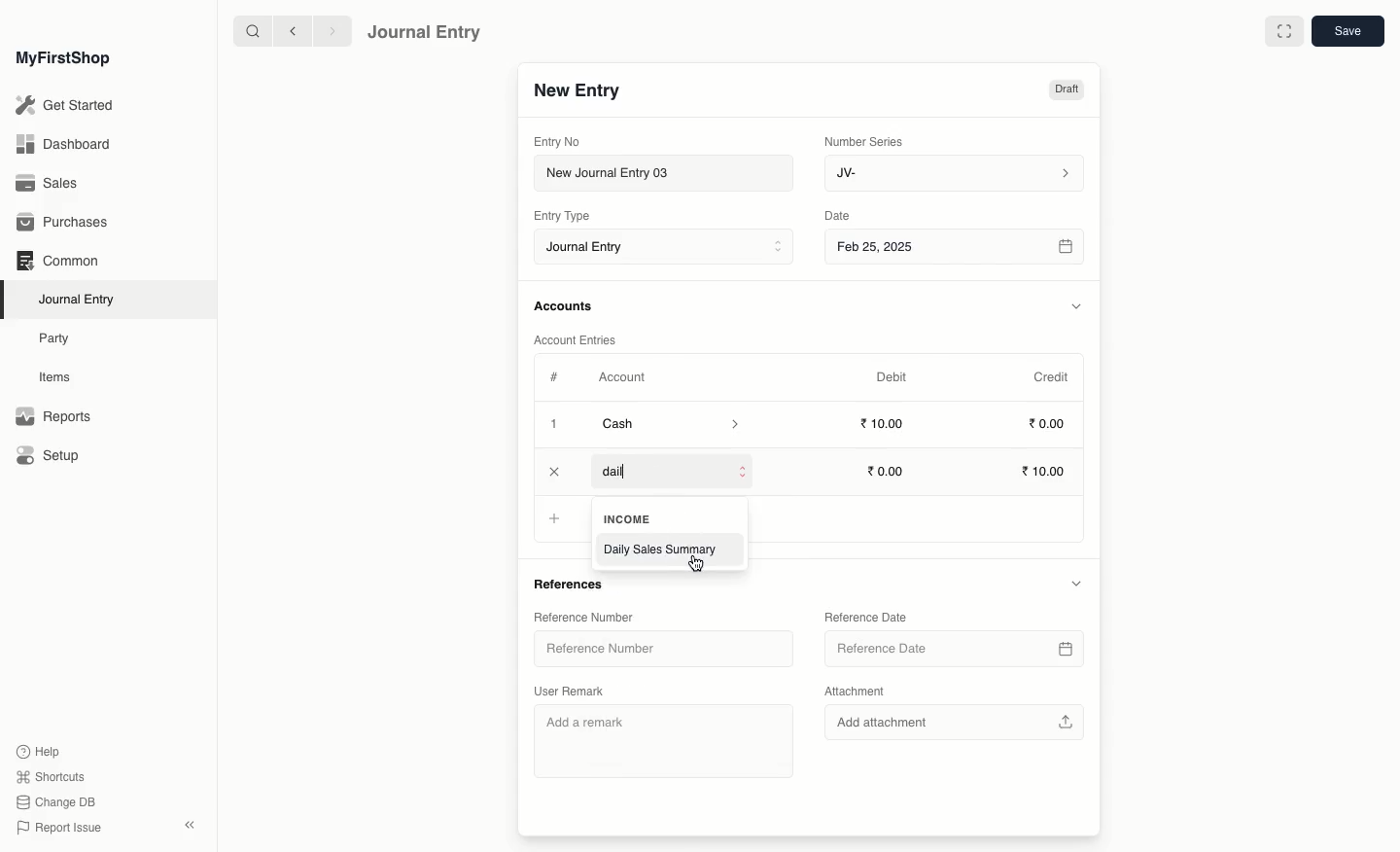 The height and width of the screenshot is (852, 1400). Describe the element at coordinates (62, 143) in the screenshot. I see `Dashboard` at that location.